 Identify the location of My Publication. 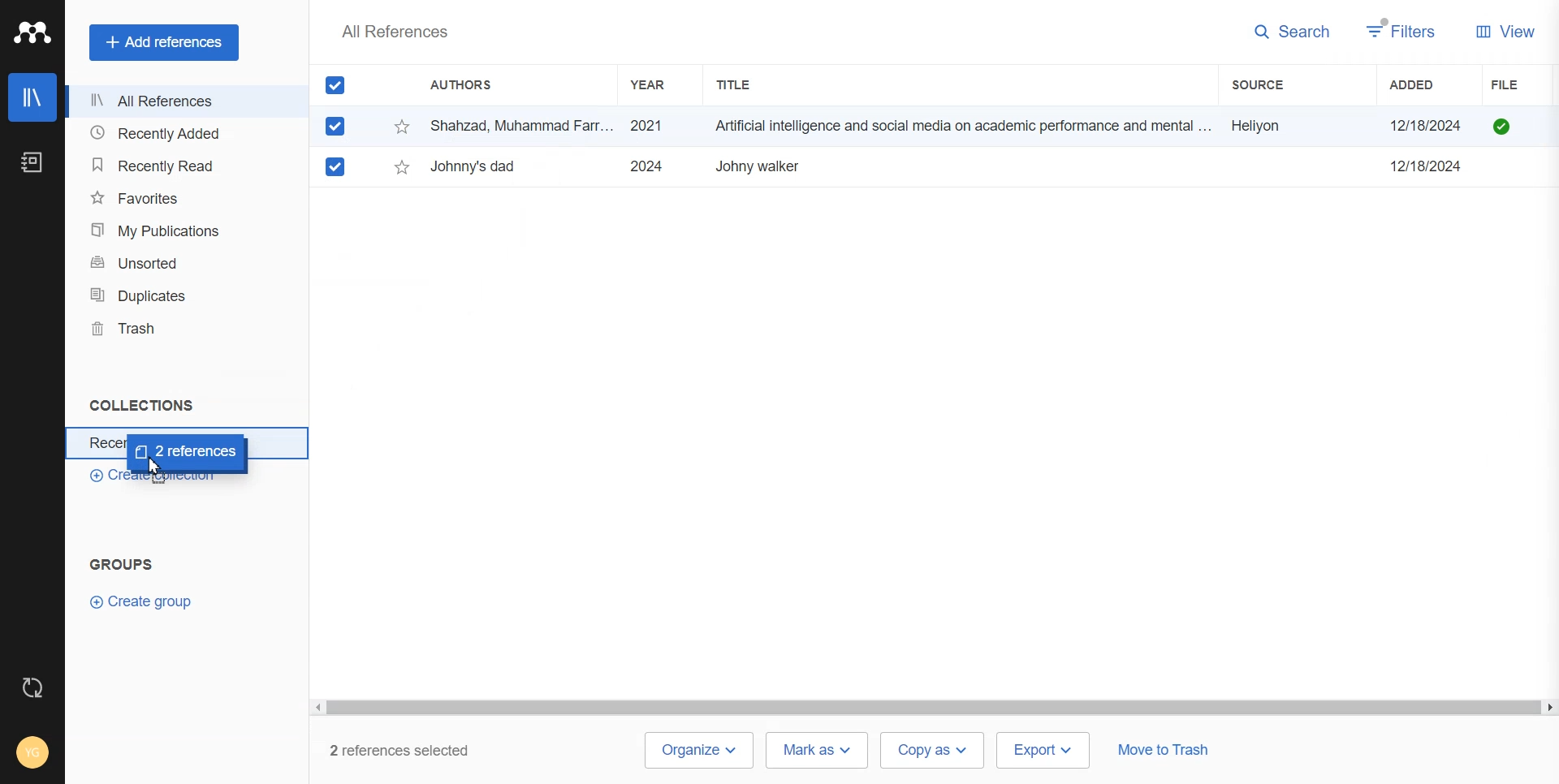
(182, 230).